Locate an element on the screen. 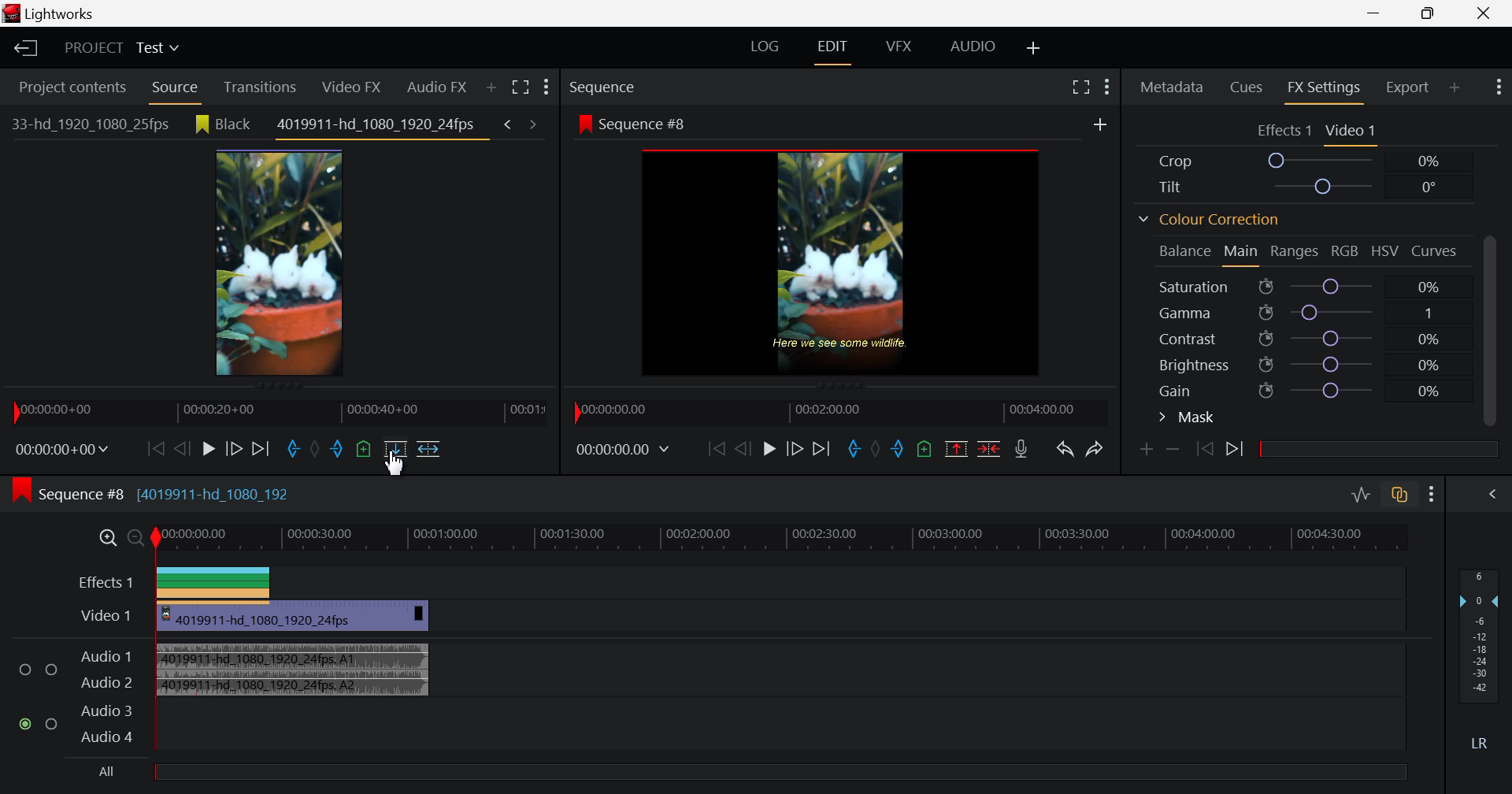 The width and height of the screenshot is (1512, 794). Show Settings is located at coordinates (1435, 493).